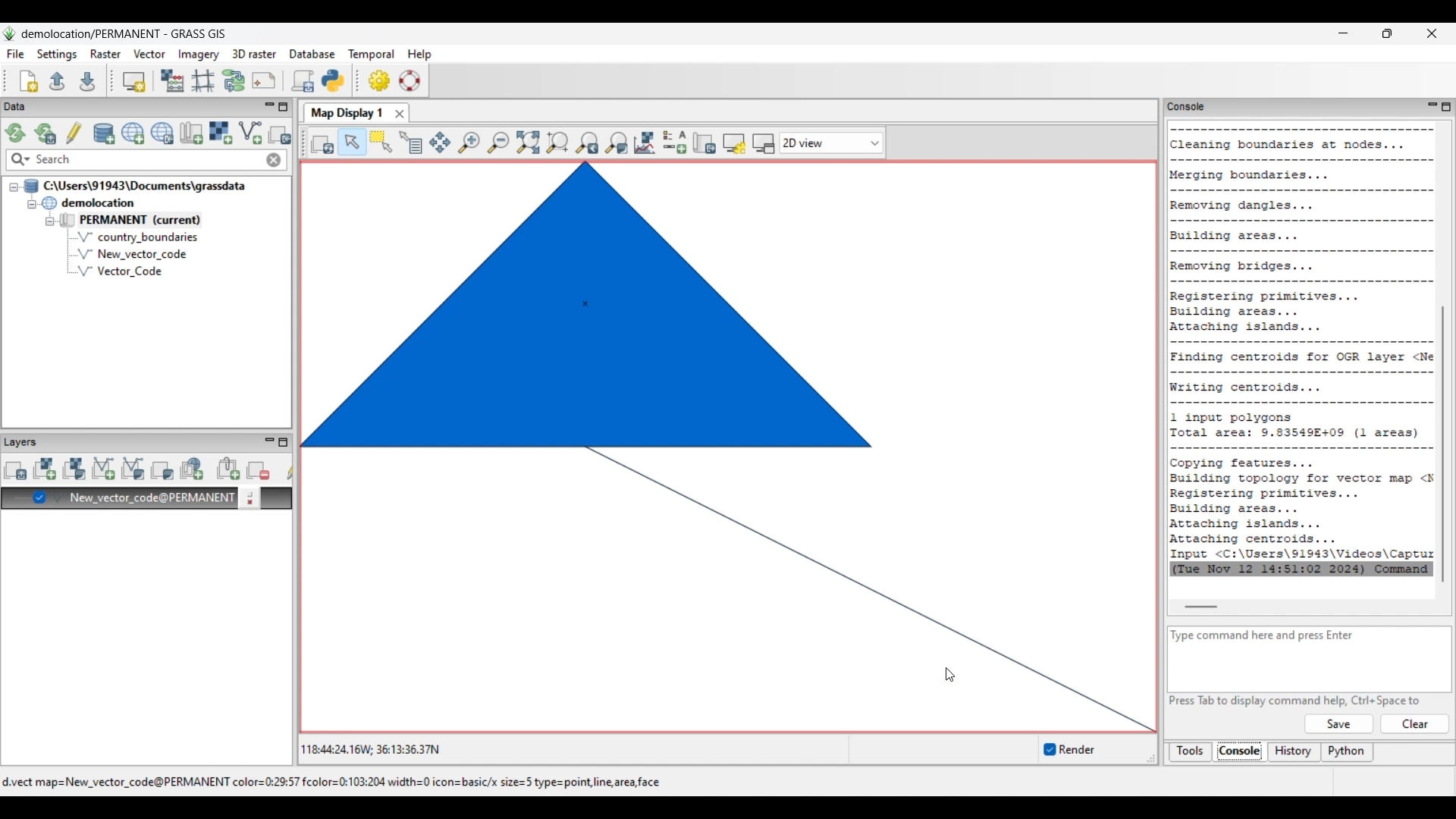 This screenshot has height=819, width=1456. What do you see at coordinates (249, 498) in the screenshot?
I see `Click to edit layer settings` at bounding box center [249, 498].